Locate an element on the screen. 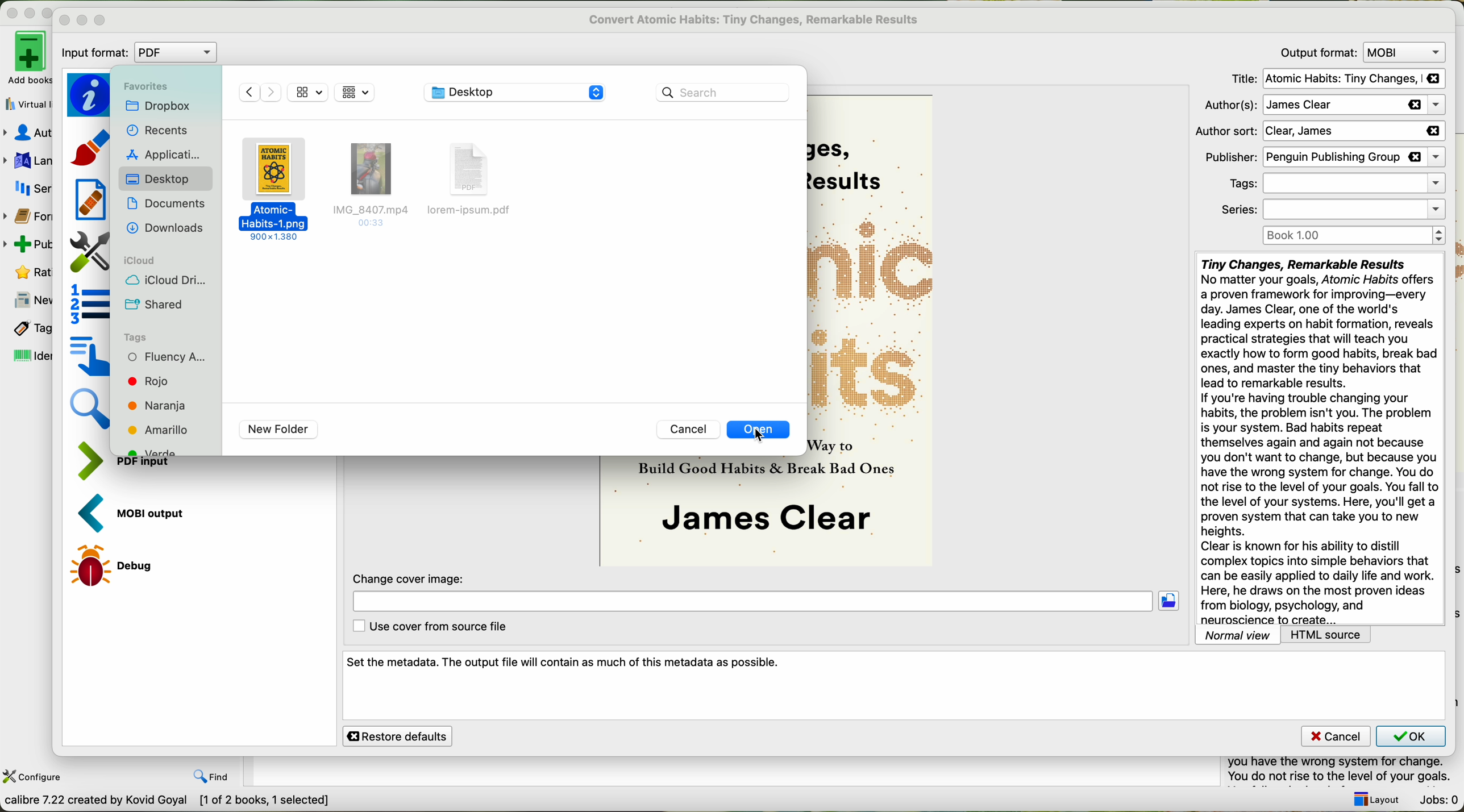  cancel is located at coordinates (687, 430).